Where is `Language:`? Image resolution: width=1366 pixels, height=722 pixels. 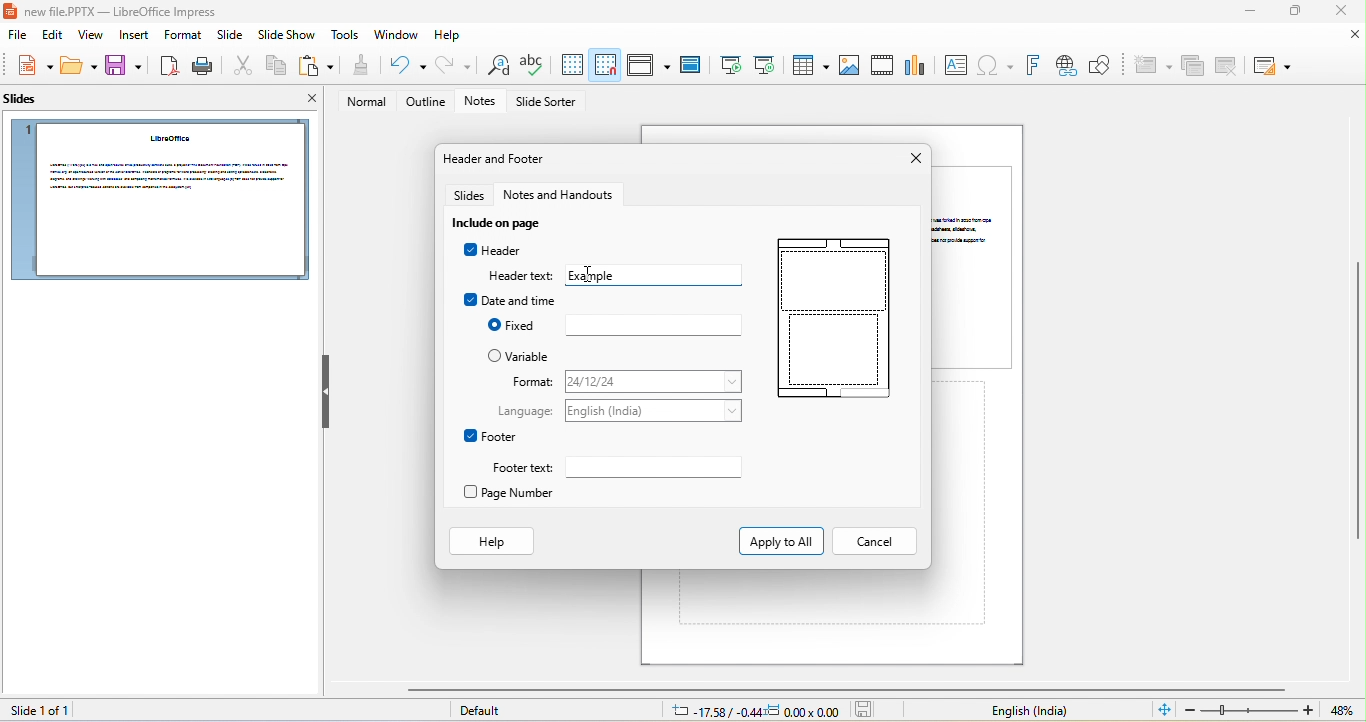 Language: is located at coordinates (527, 412).